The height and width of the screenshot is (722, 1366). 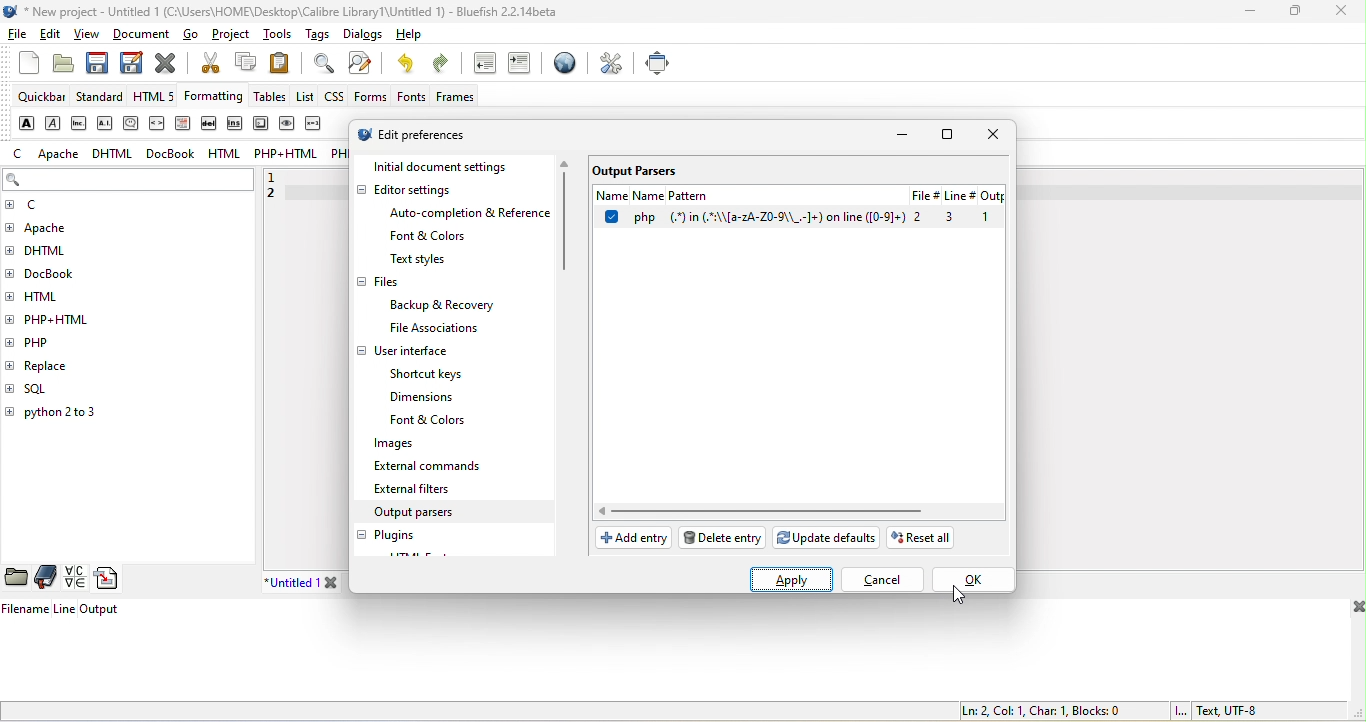 What do you see at coordinates (107, 123) in the screenshot?
I see `acronym` at bounding box center [107, 123].